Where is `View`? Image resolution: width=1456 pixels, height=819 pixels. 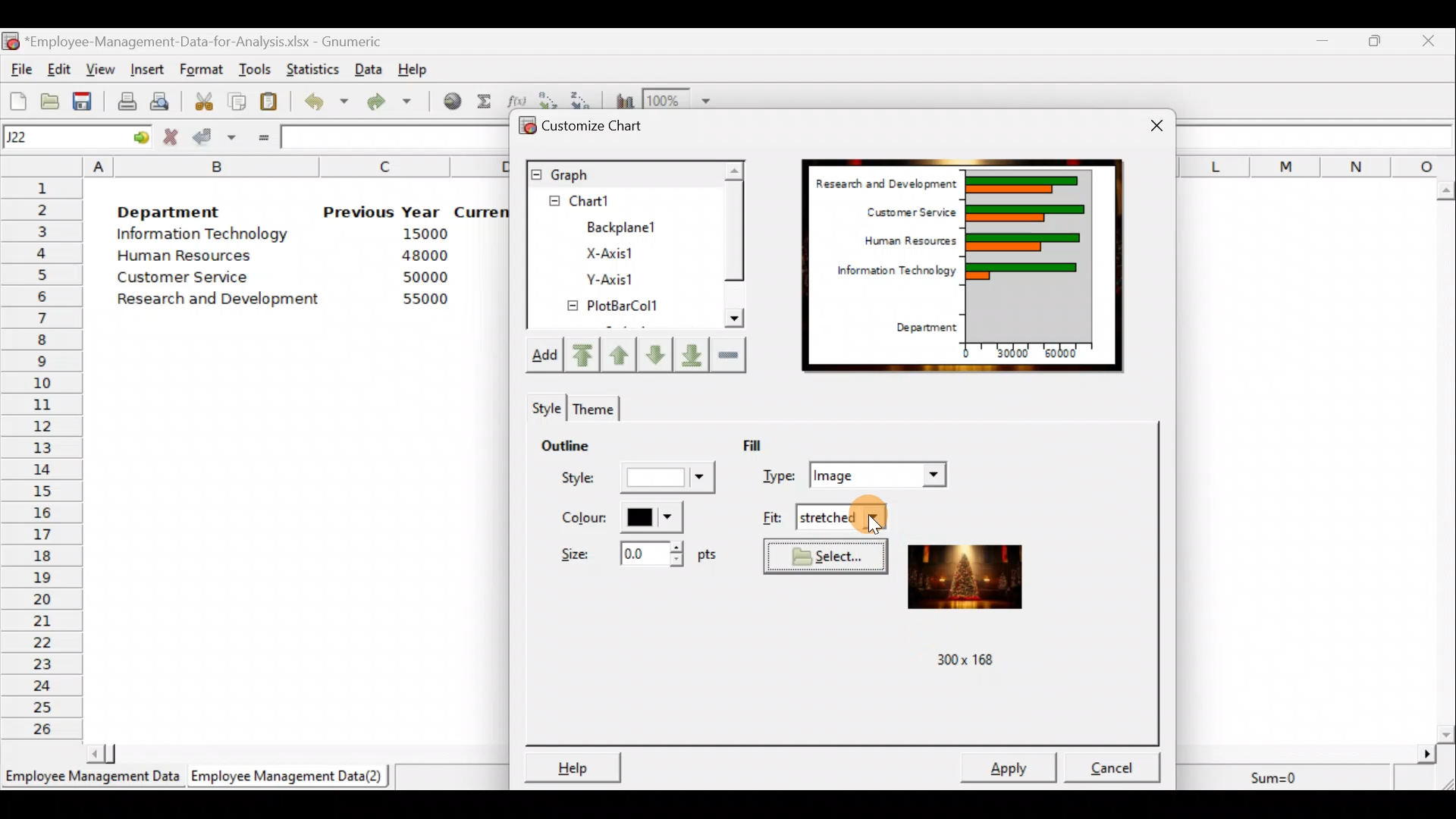
View is located at coordinates (101, 68).